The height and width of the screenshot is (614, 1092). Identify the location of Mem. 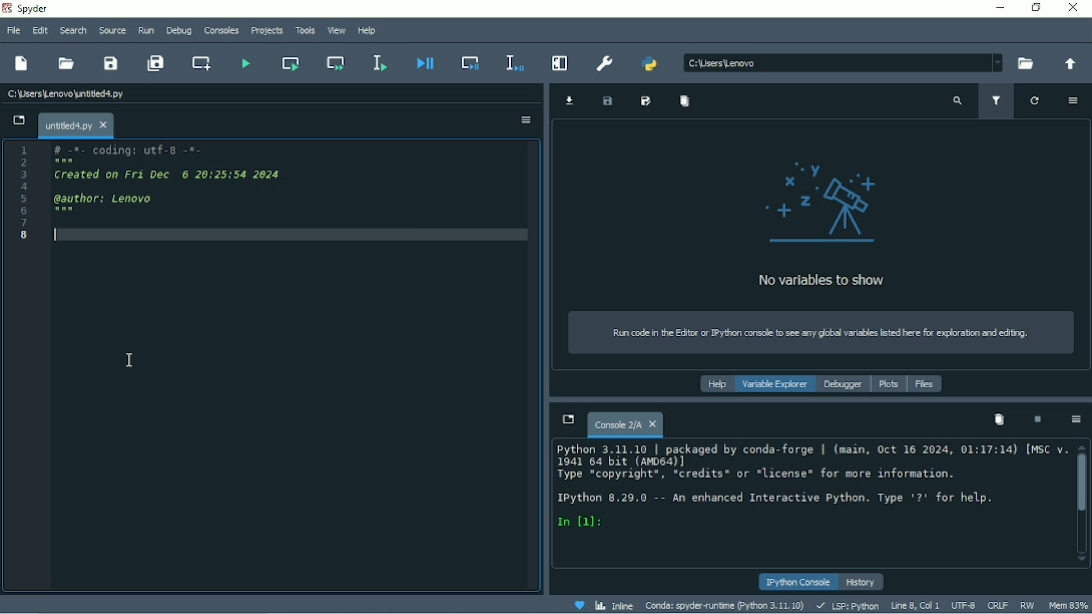
(1069, 604).